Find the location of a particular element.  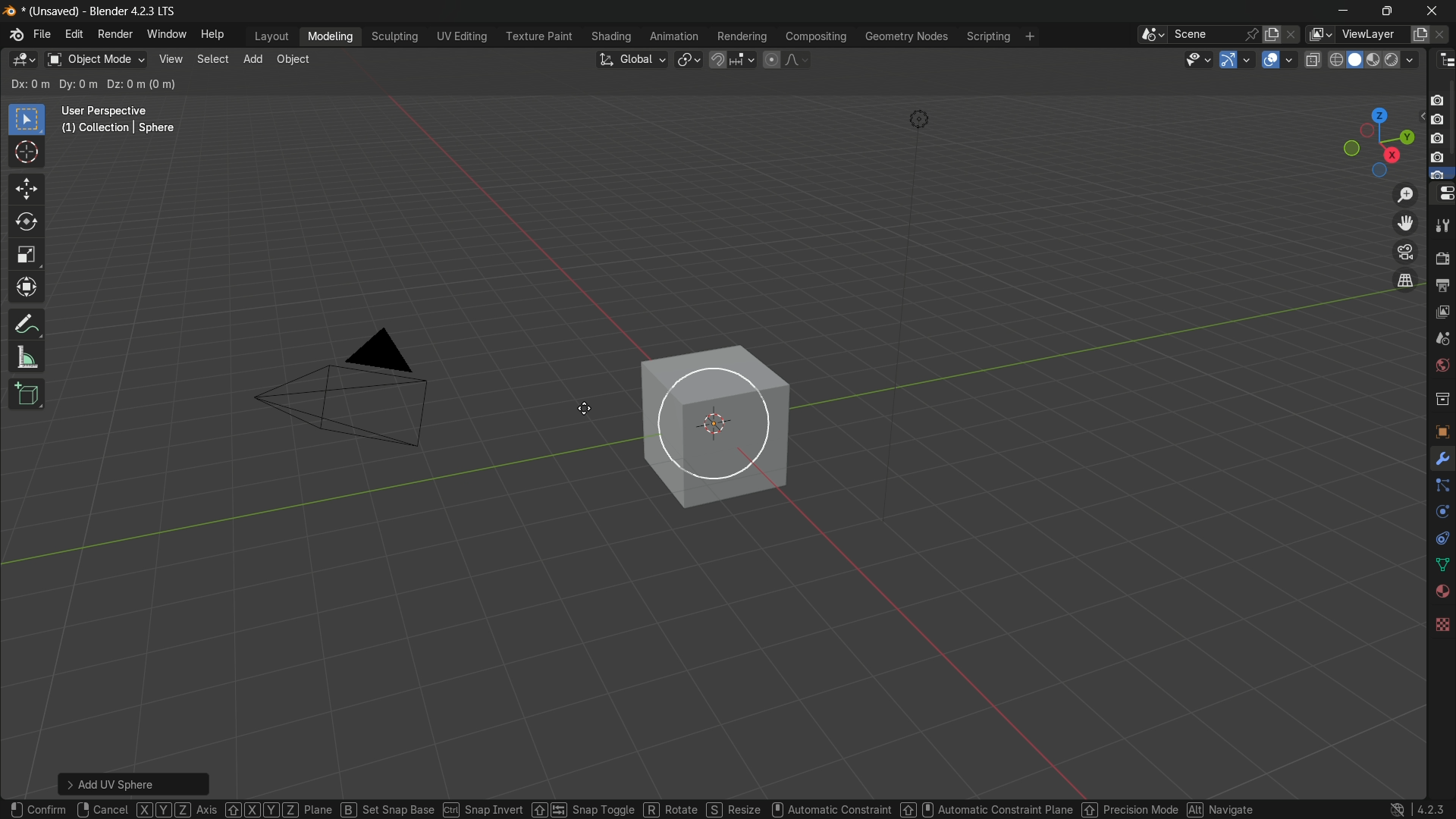

remove layer is located at coordinates (1446, 36).